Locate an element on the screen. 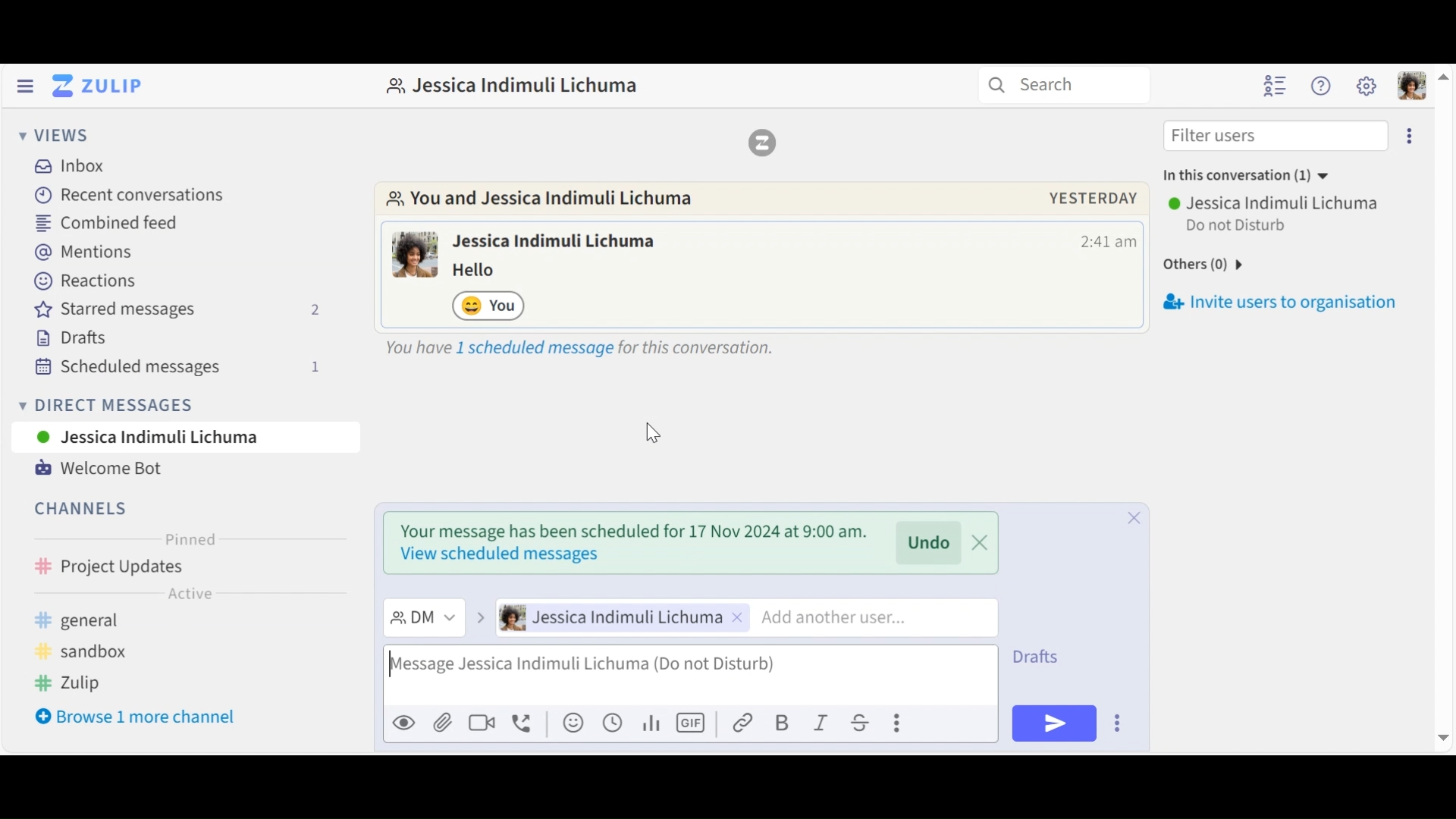 The width and height of the screenshot is (1456, 819). preview is located at coordinates (404, 723).